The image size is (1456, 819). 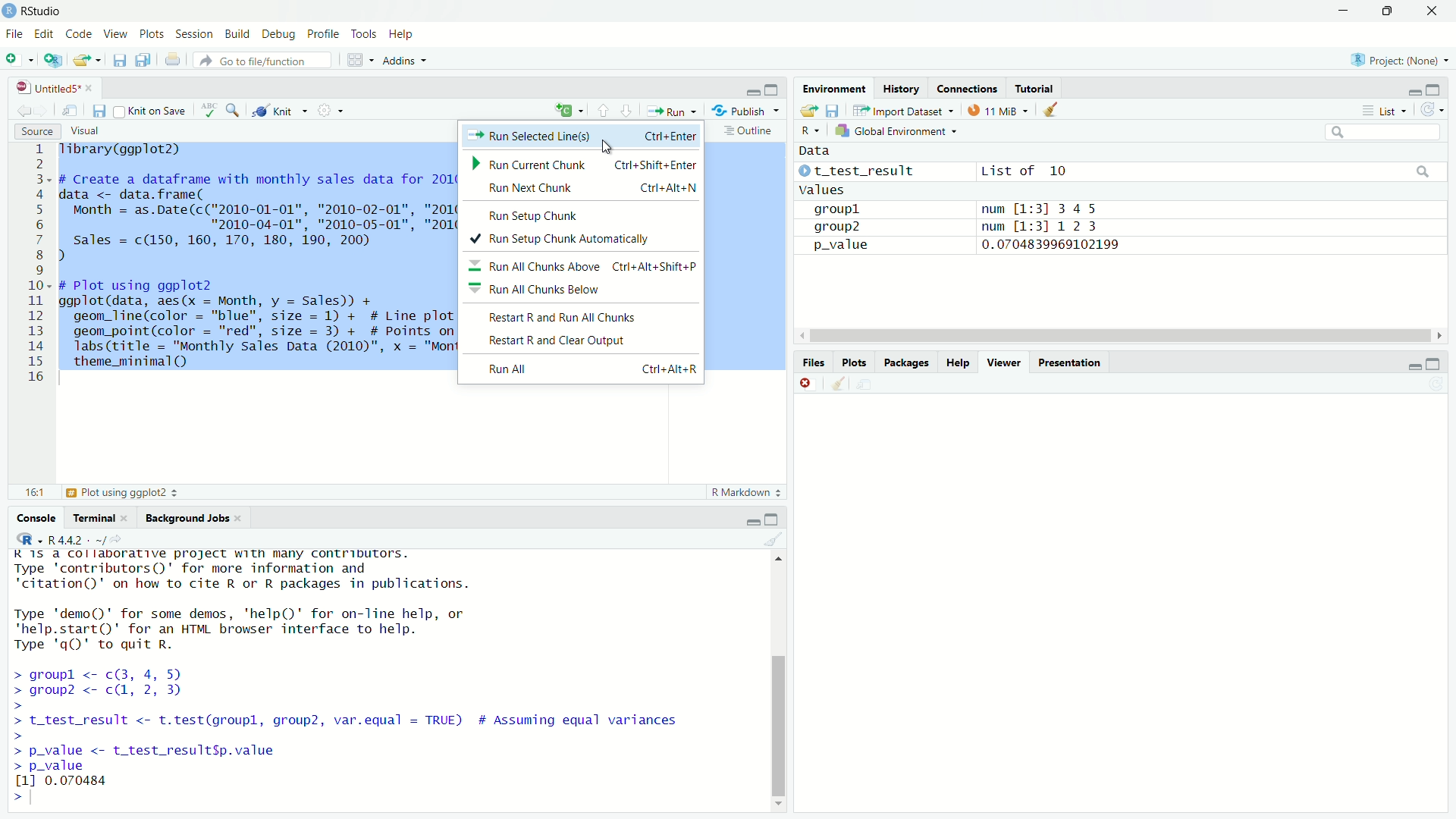 I want to click on minimise, so click(x=1436, y=363).